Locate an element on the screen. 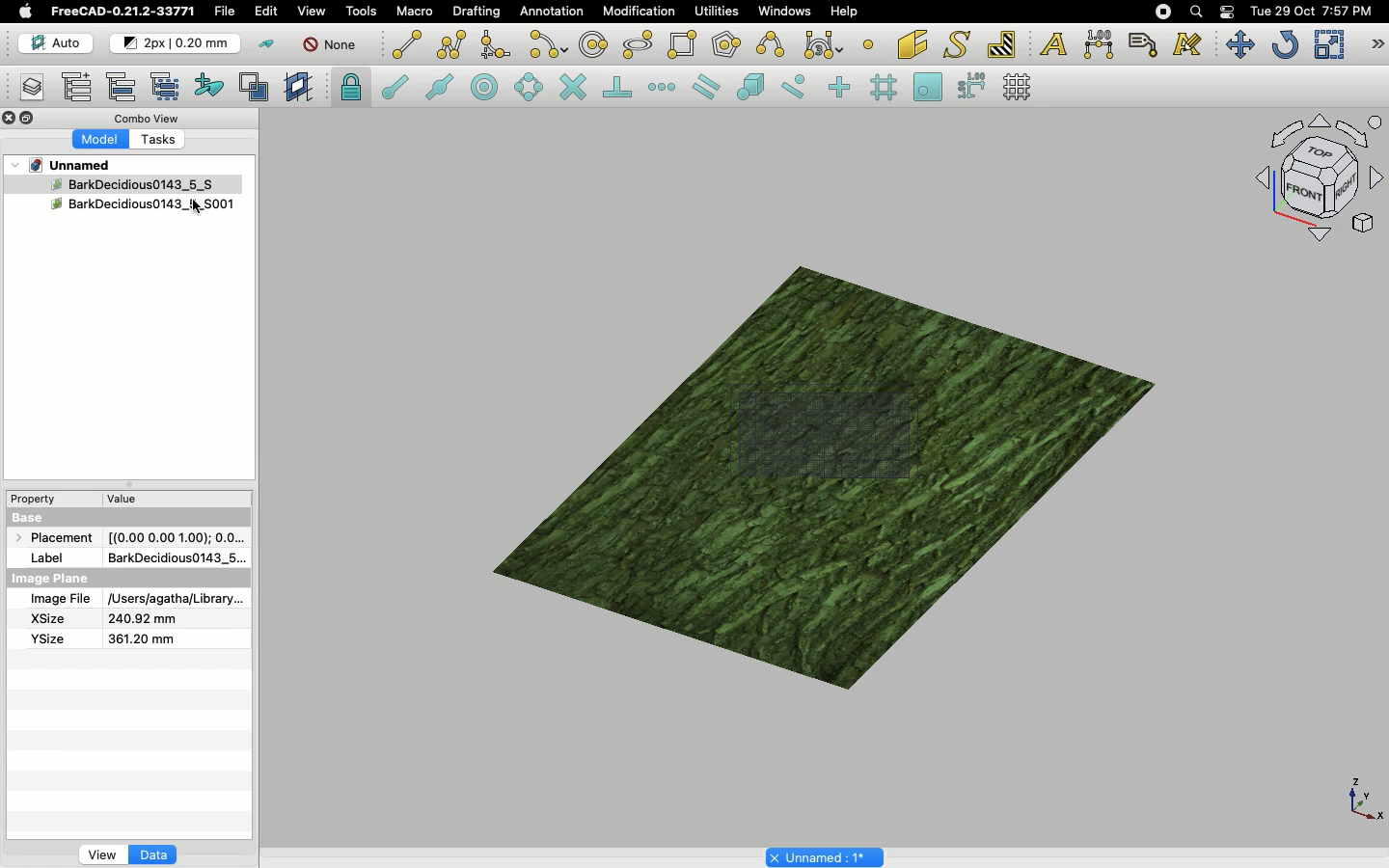 The image size is (1389, 868). Selecting edit is located at coordinates (270, 13).